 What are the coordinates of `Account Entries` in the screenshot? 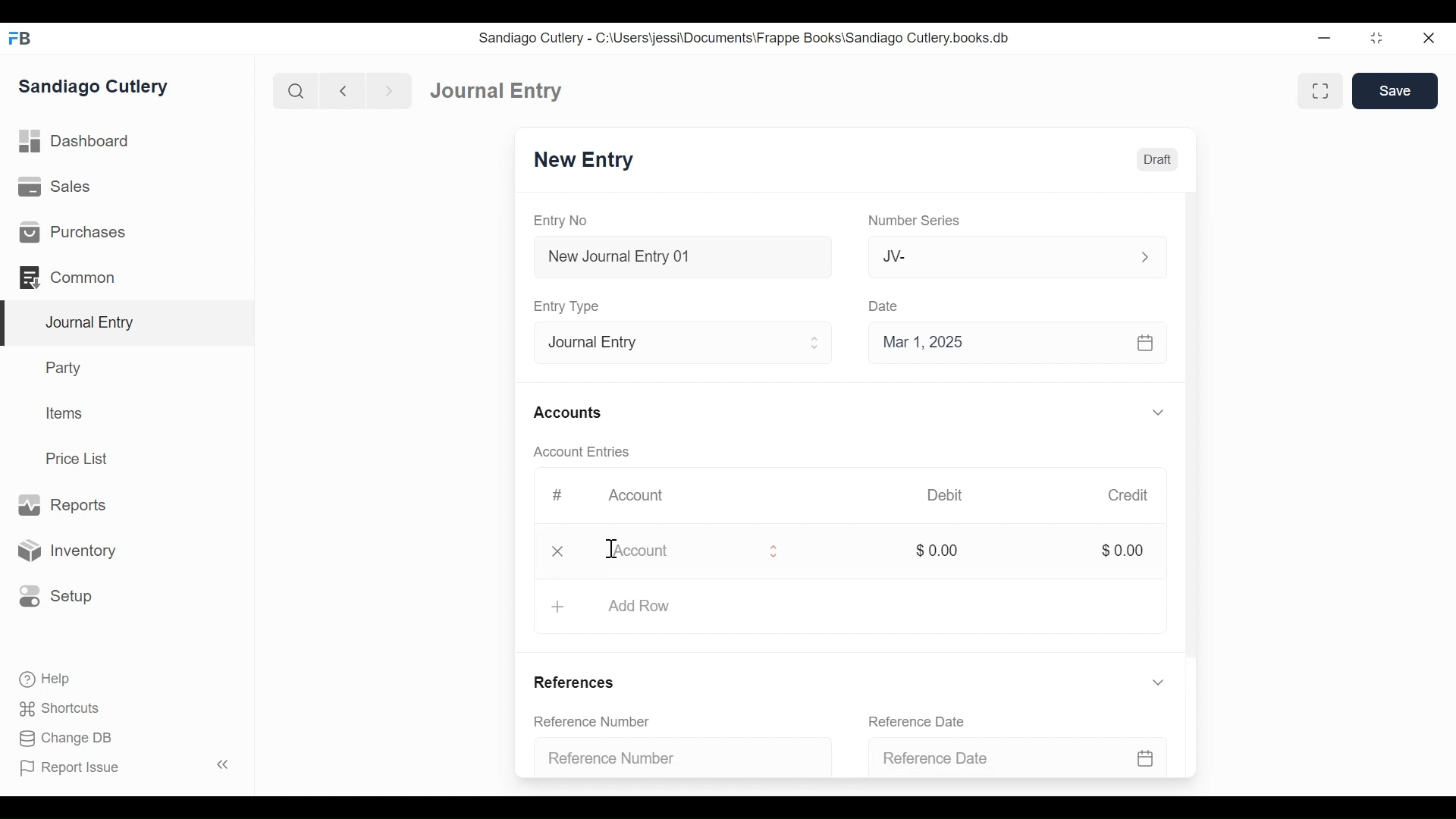 It's located at (576, 452).